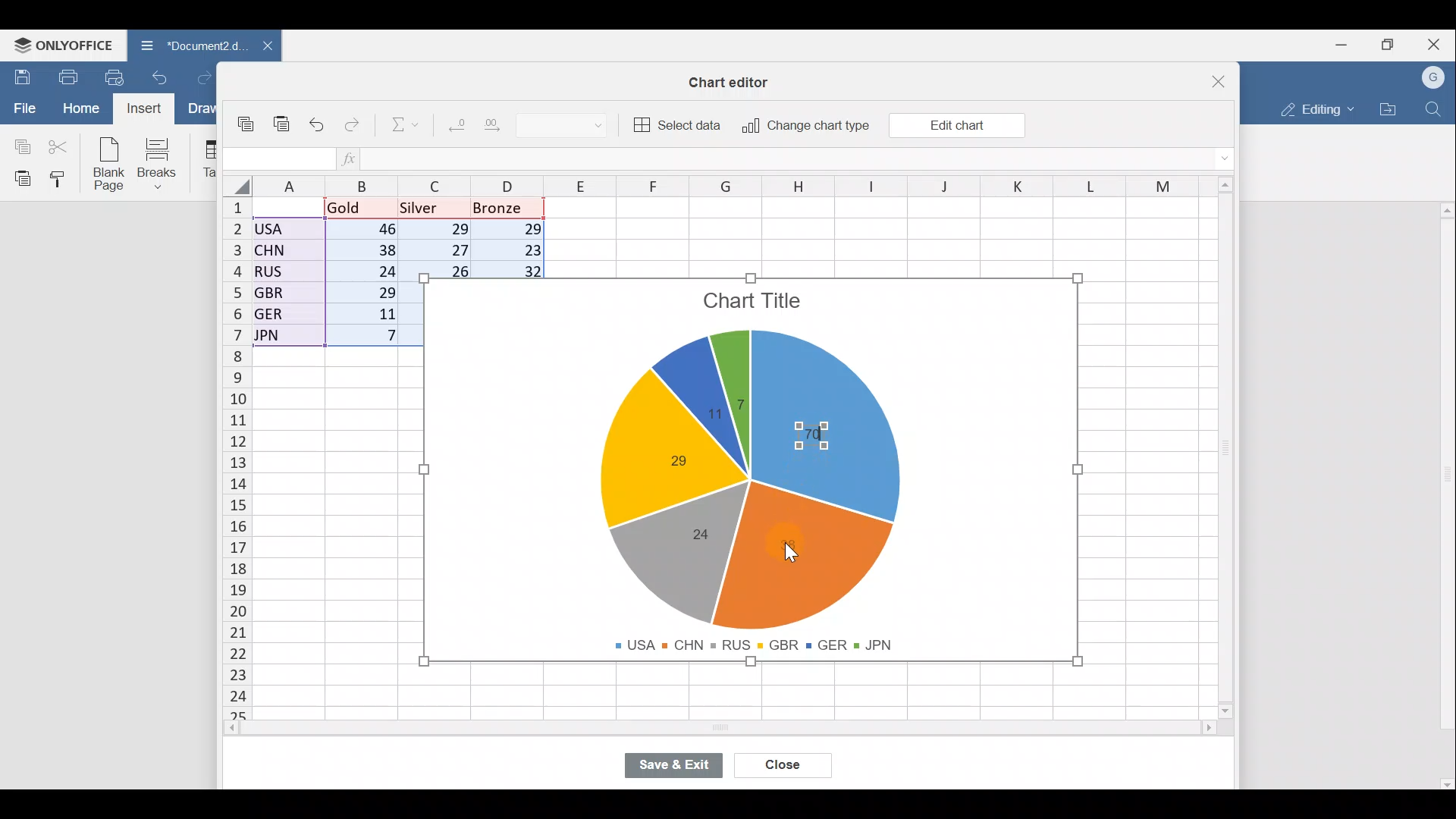 This screenshot has width=1456, height=819. What do you see at coordinates (667, 460) in the screenshot?
I see `Chart label` at bounding box center [667, 460].